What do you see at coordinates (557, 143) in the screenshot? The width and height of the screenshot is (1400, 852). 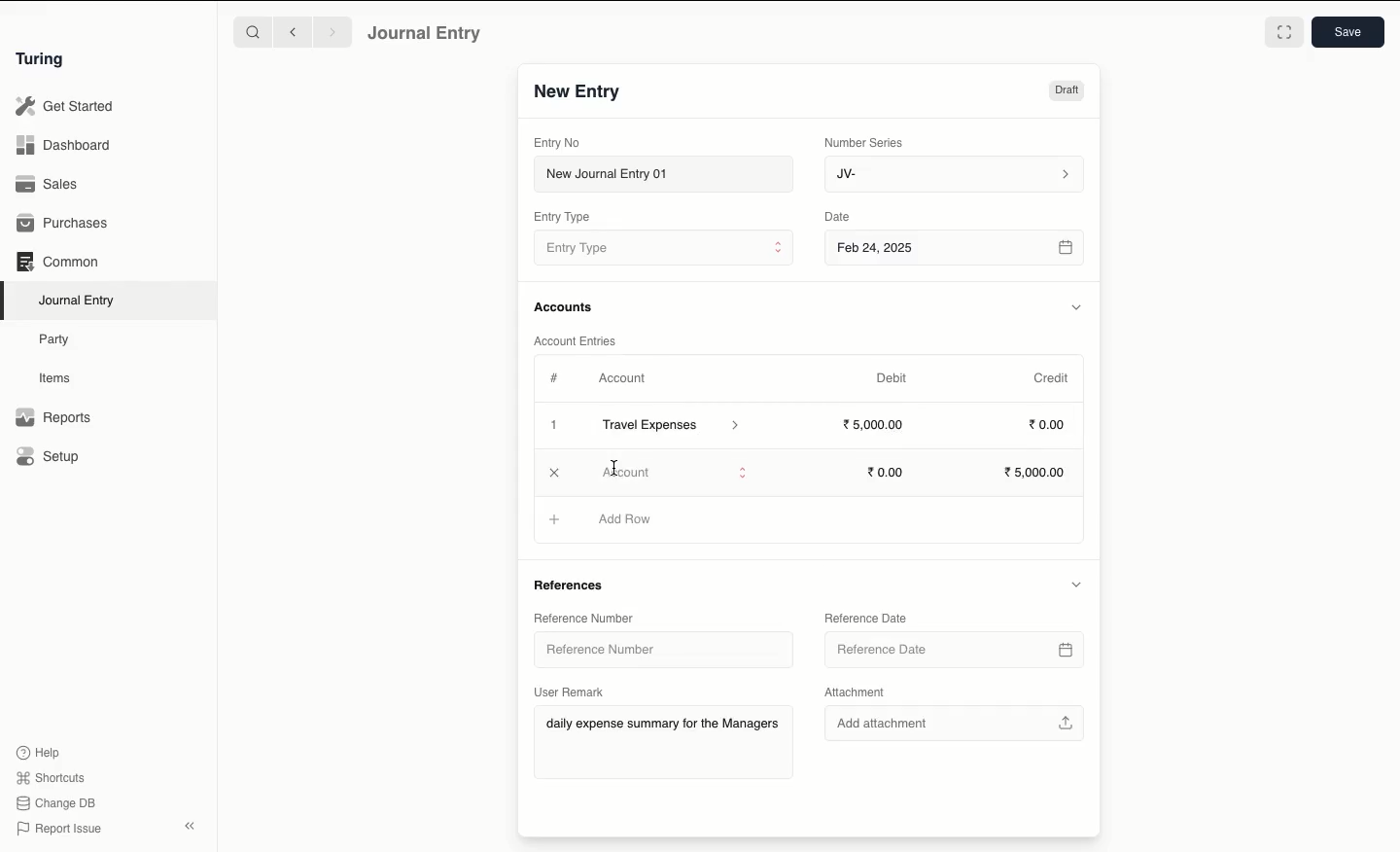 I see `Entry No` at bounding box center [557, 143].